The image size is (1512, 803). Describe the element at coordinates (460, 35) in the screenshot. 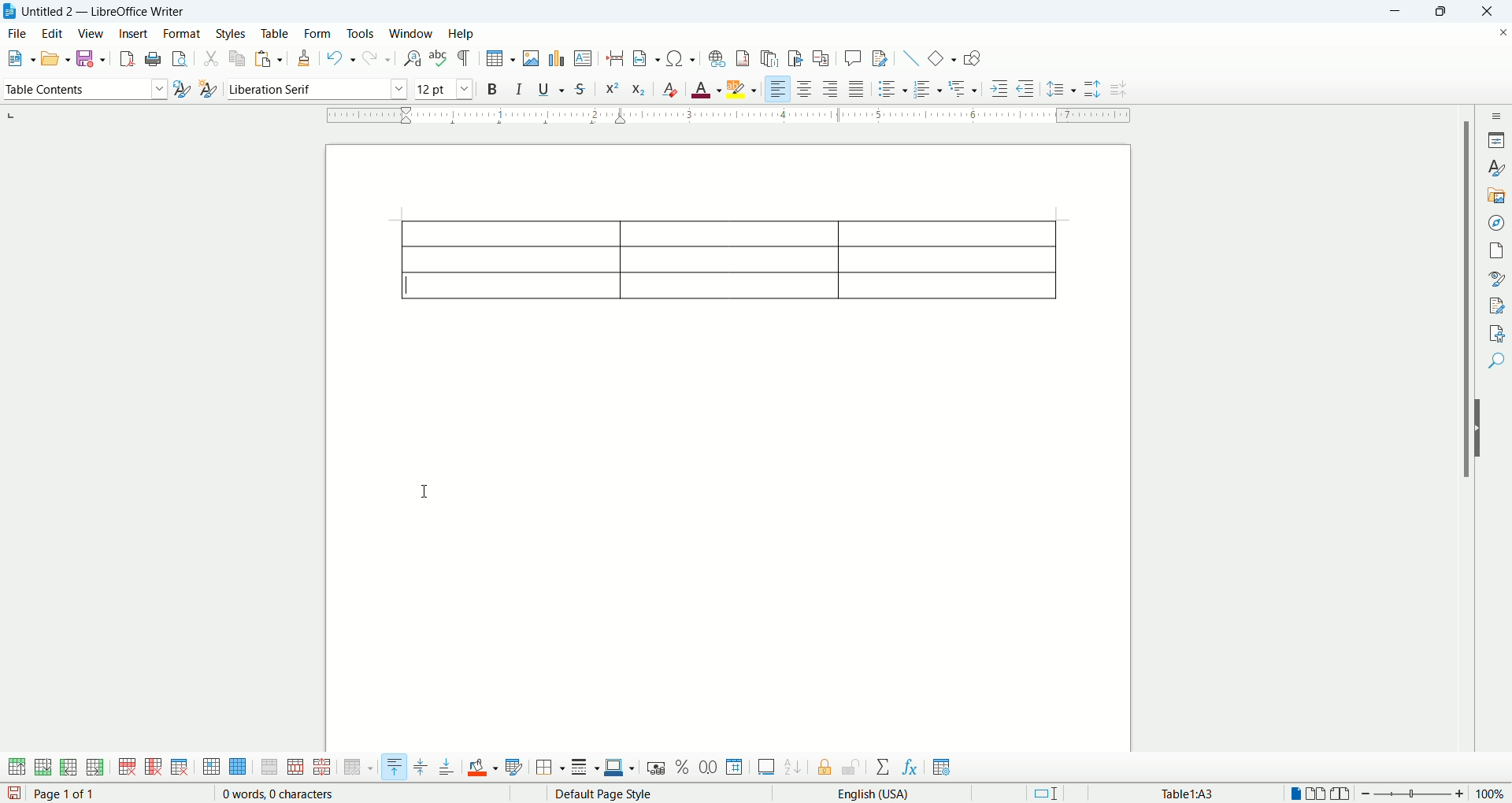

I see `help` at that location.